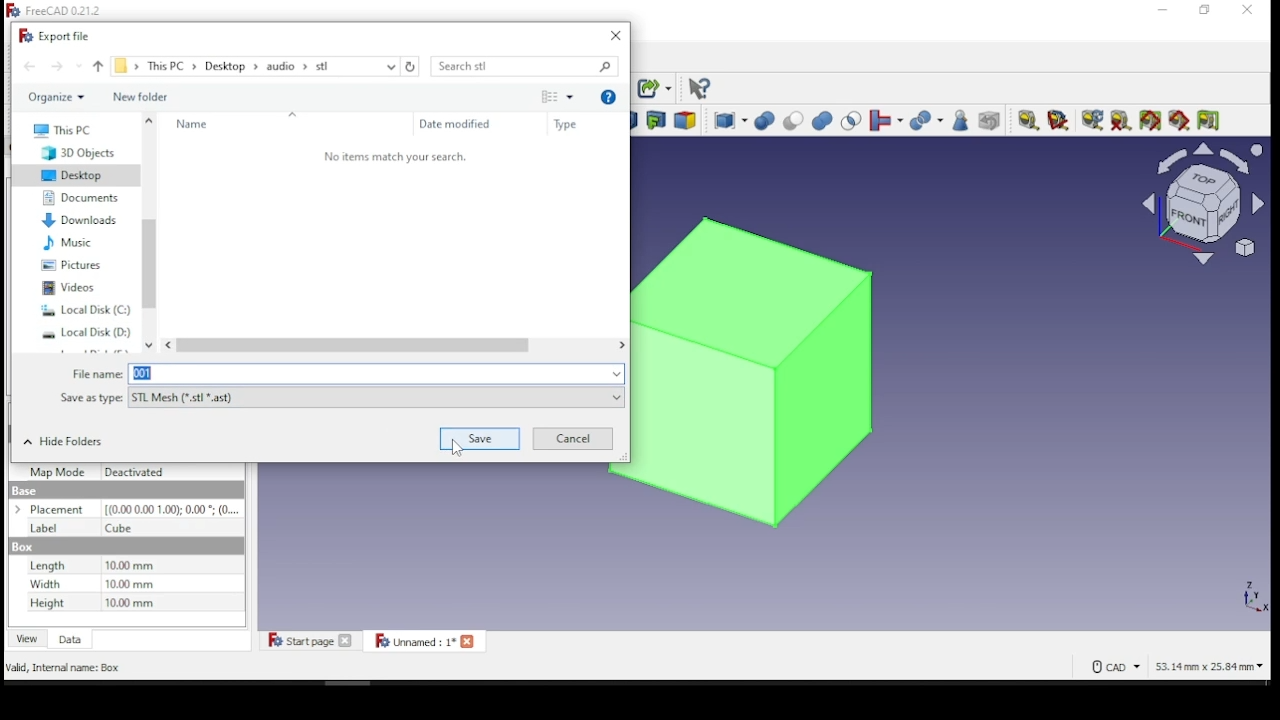  What do you see at coordinates (168, 66) in the screenshot?
I see `this PC` at bounding box center [168, 66].